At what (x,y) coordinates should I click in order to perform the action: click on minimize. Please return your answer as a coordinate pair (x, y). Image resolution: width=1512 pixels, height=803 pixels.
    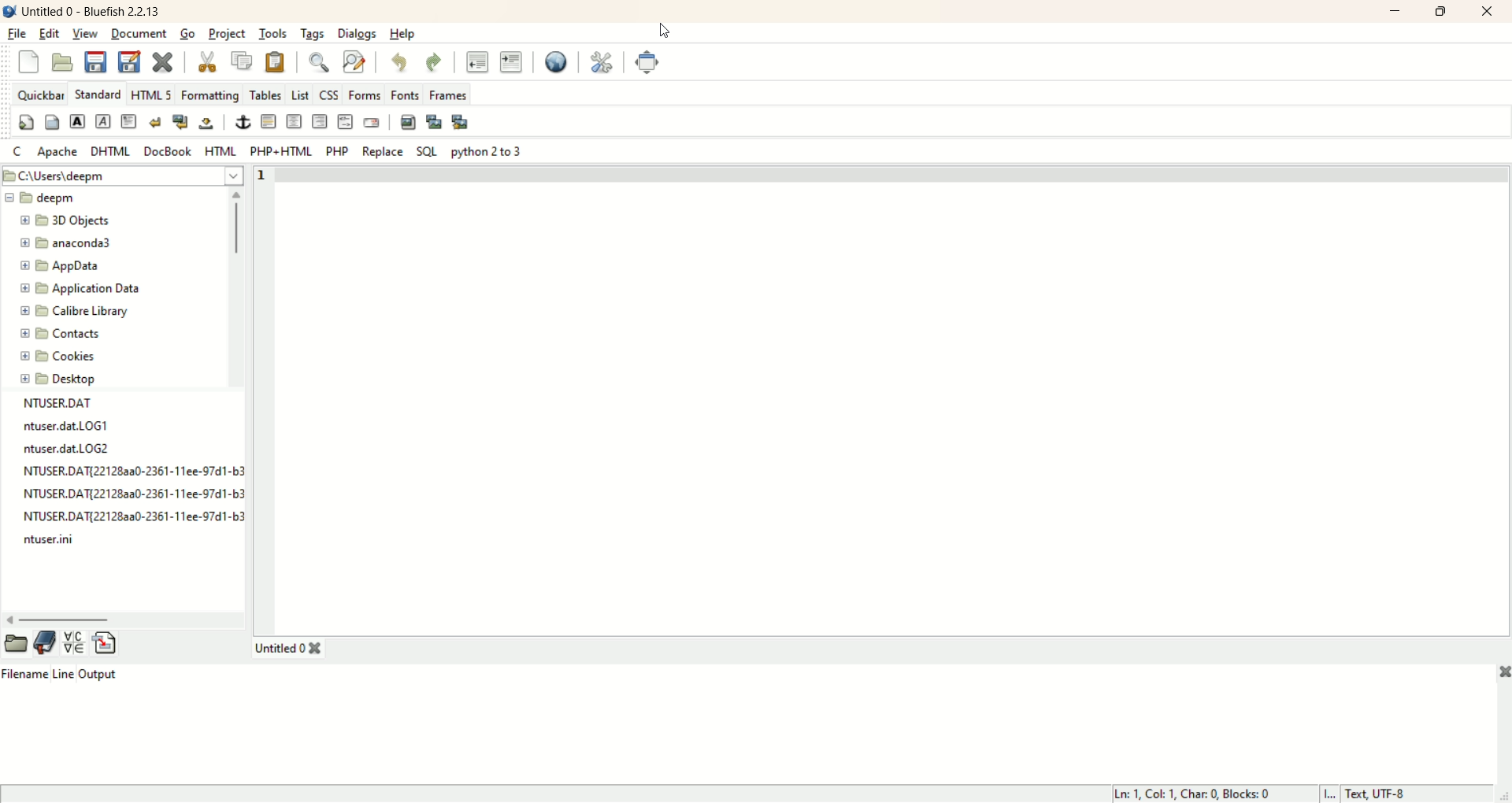
    Looking at the image, I should click on (1391, 13).